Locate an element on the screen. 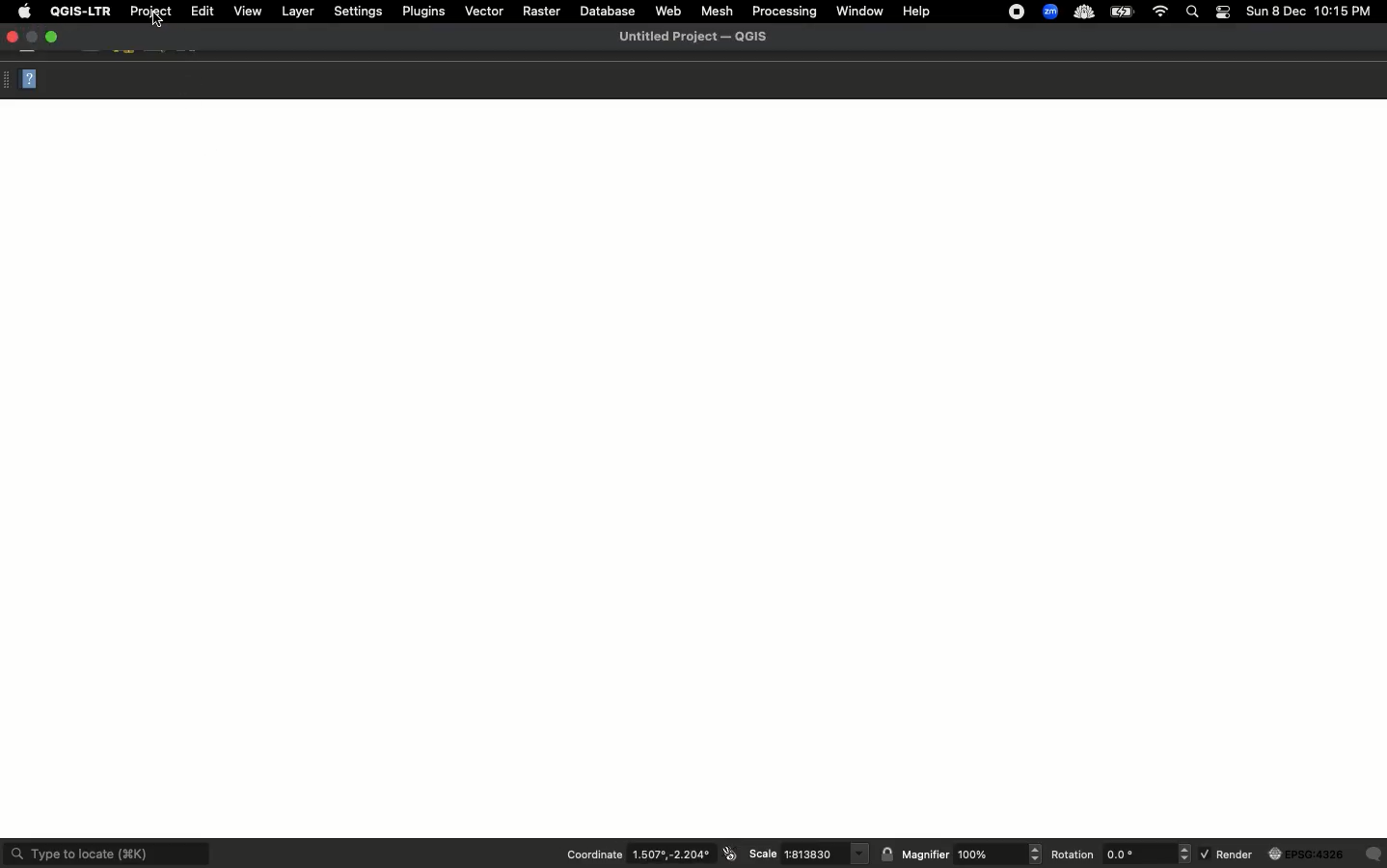 The image size is (1387, 868). Project is located at coordinates (152, 12).